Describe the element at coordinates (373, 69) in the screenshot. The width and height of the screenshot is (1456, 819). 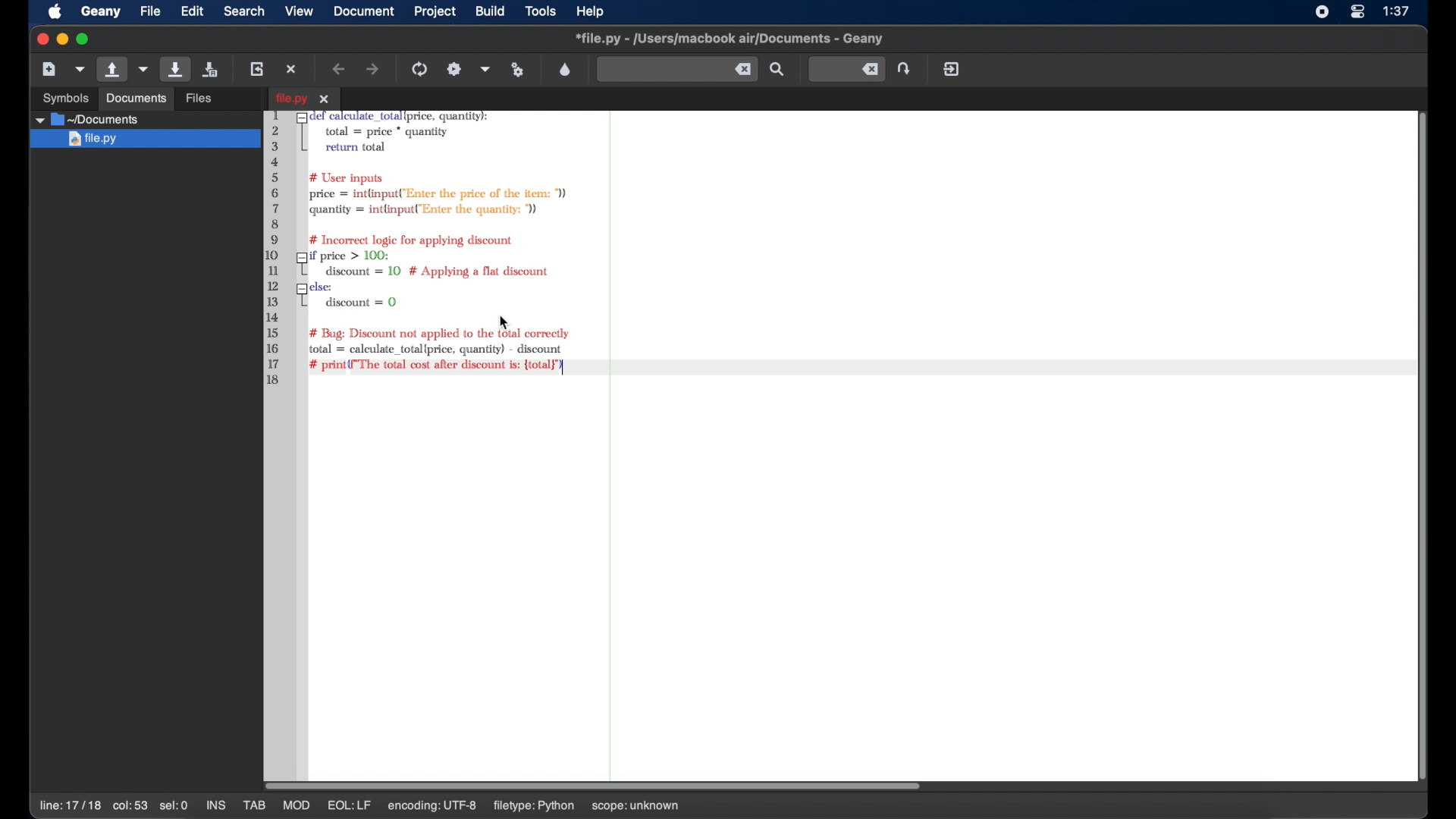
I see `navigate forward a location` at that location.